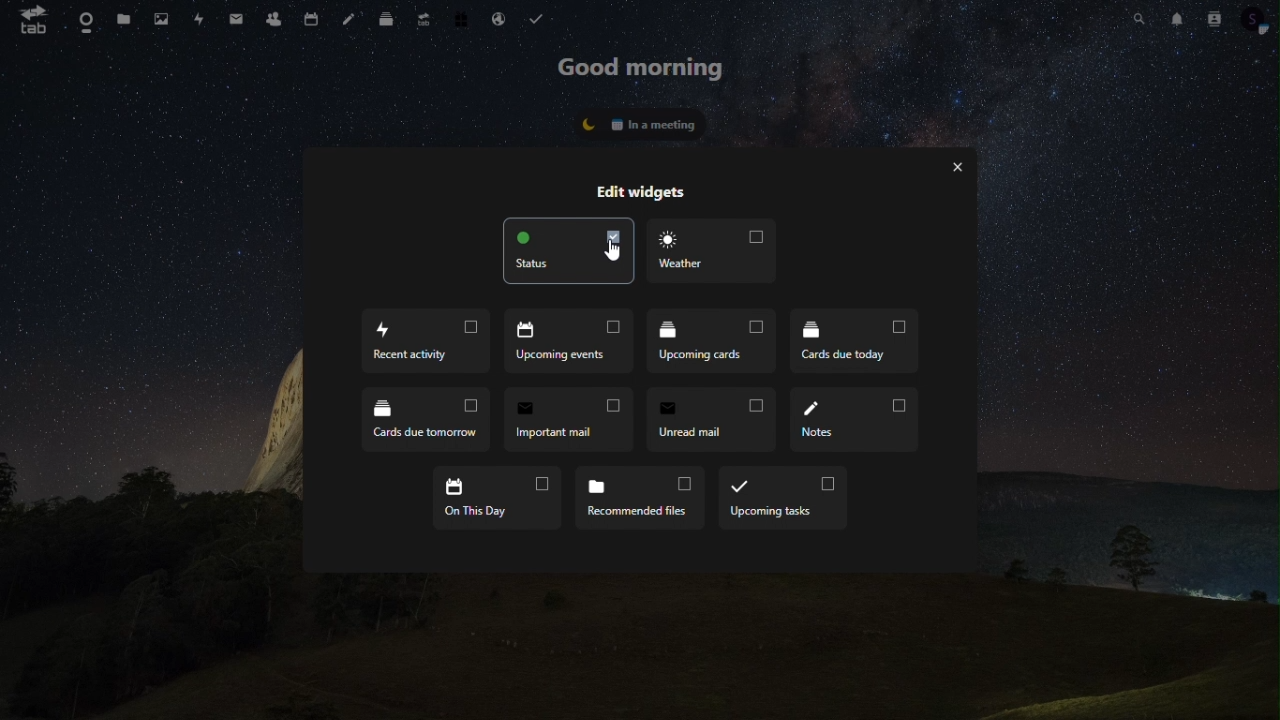 The height and width of the screenshot is (720, 1280). Describe the element at coordinates (960, 166) in the screenshot. I see `cancel` at that location.